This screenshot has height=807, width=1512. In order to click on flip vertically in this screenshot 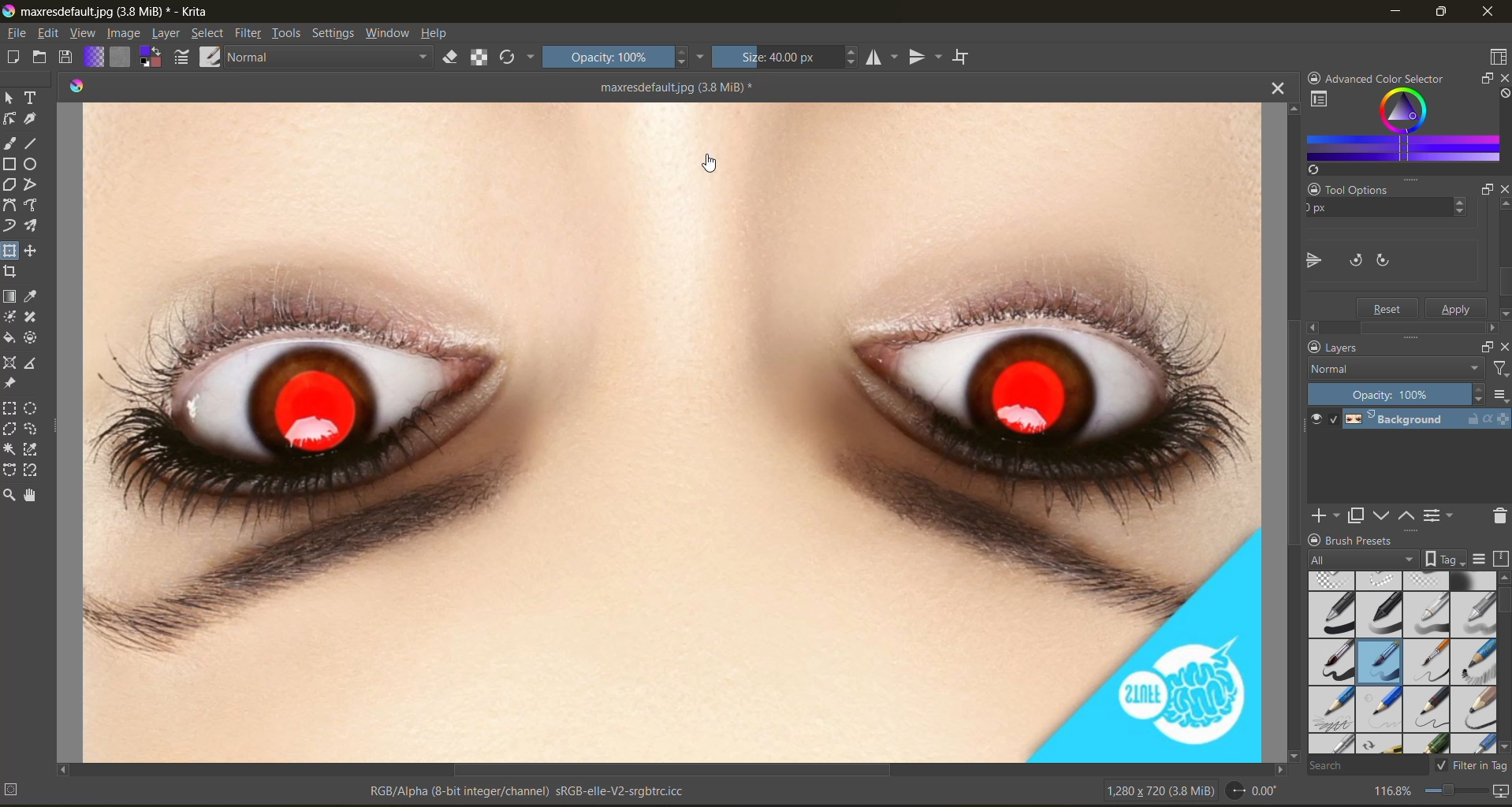, I will do `click(1350, 258)`.